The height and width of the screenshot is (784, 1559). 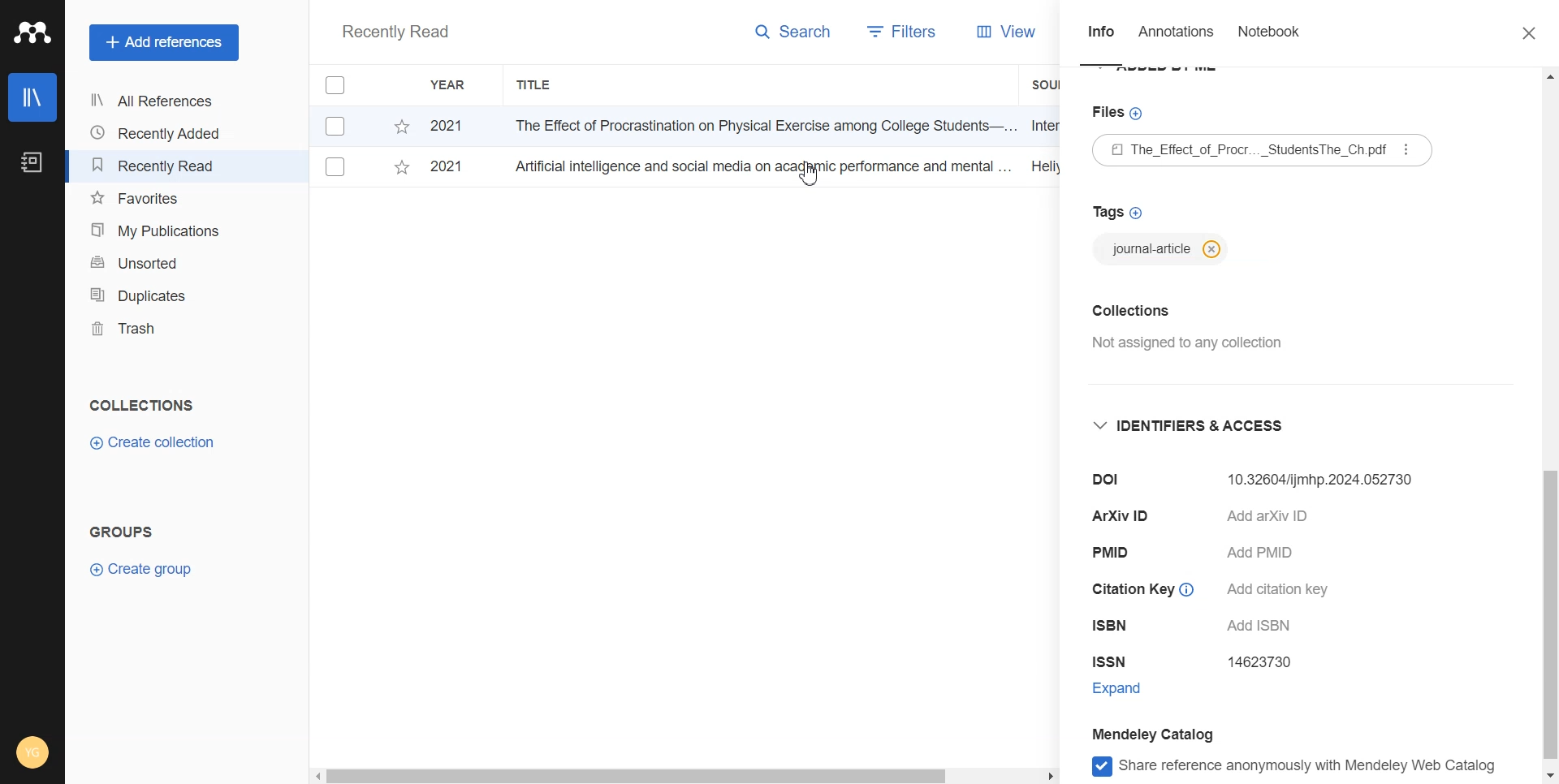 I want to click on Pointer, so click(x=825, y=183).